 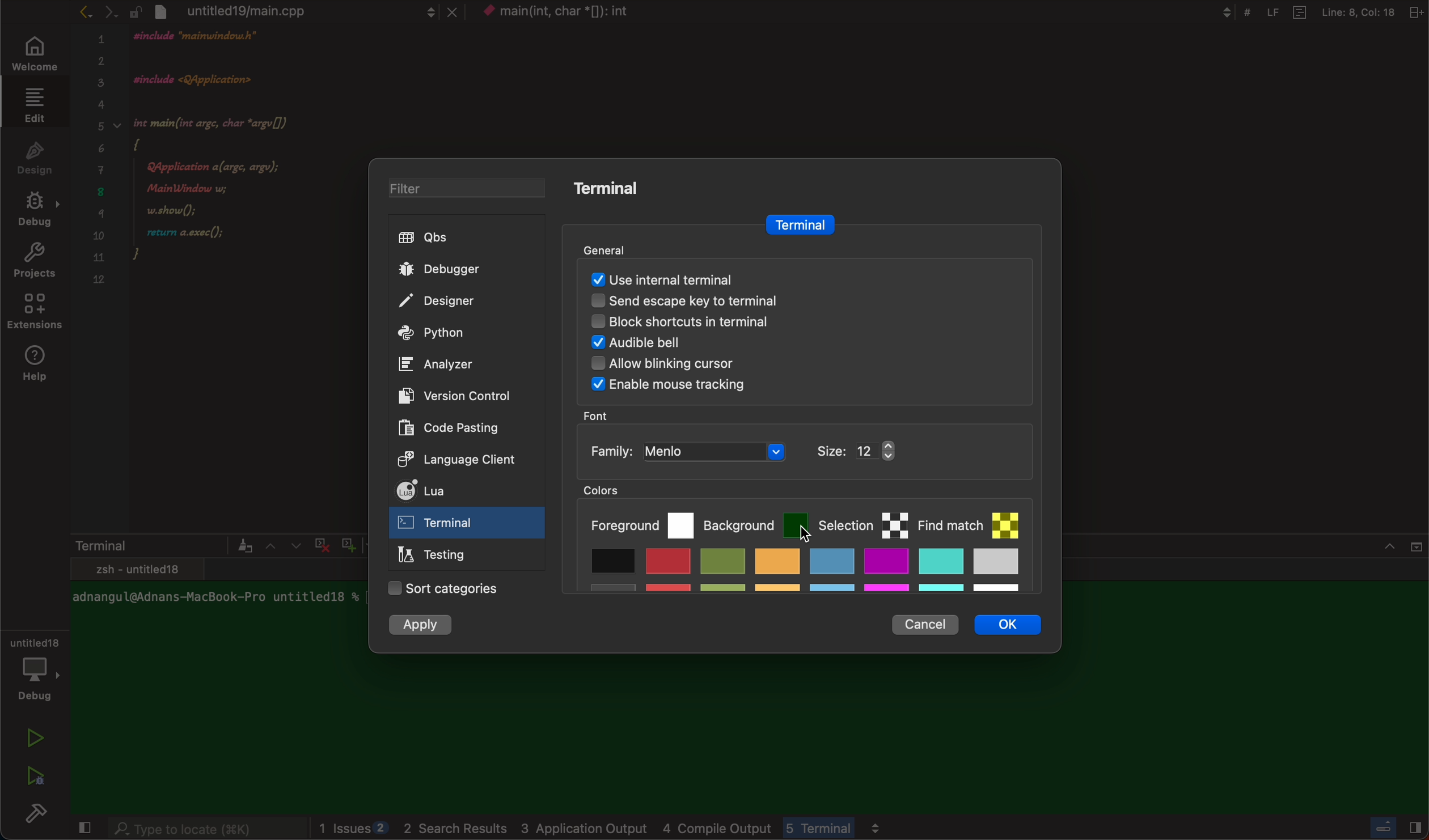 I want to click on audible bell, so click(x=767, y=345).